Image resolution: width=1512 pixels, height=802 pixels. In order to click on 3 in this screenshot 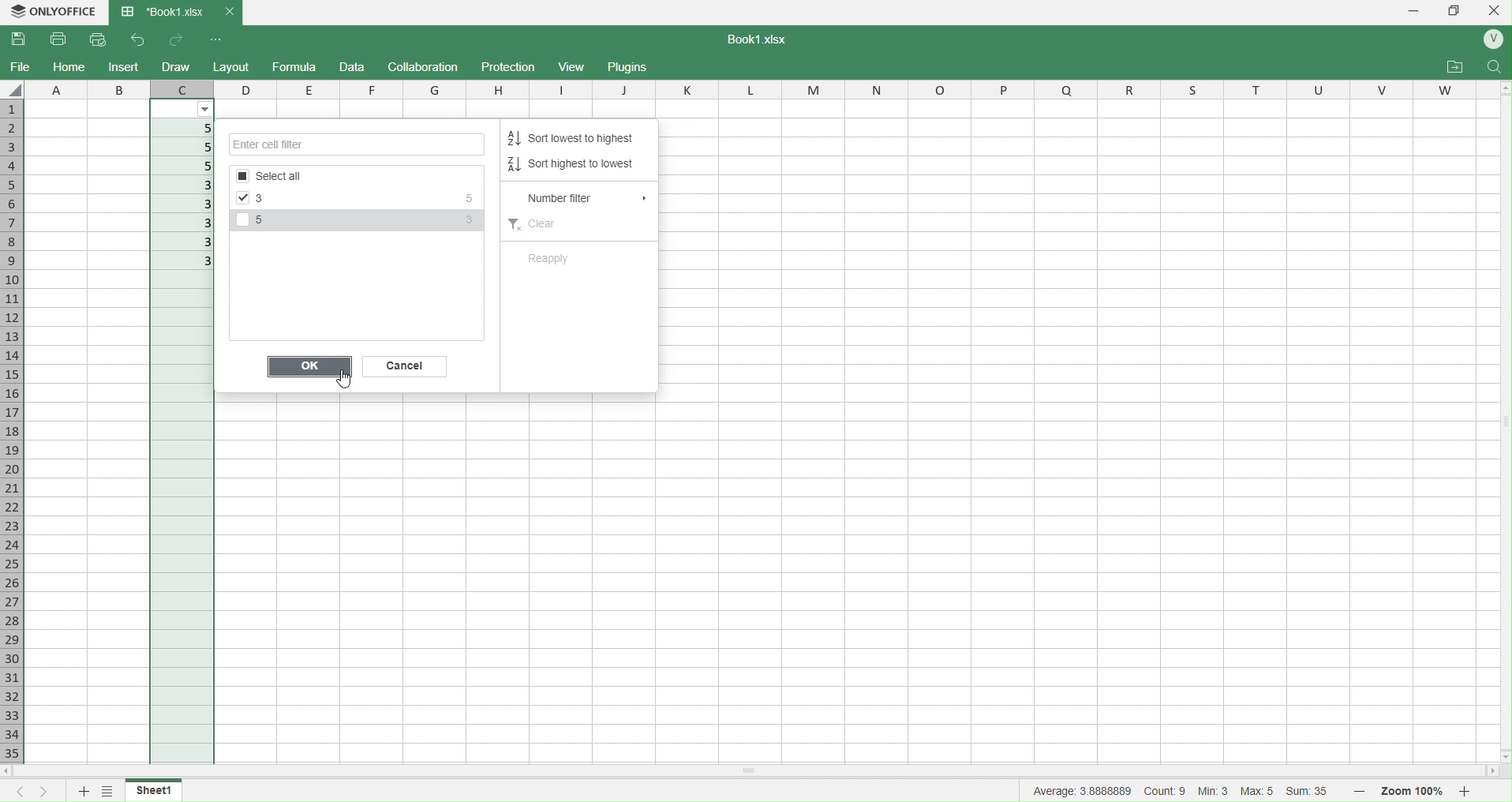, I will do `click(468, 223)`.